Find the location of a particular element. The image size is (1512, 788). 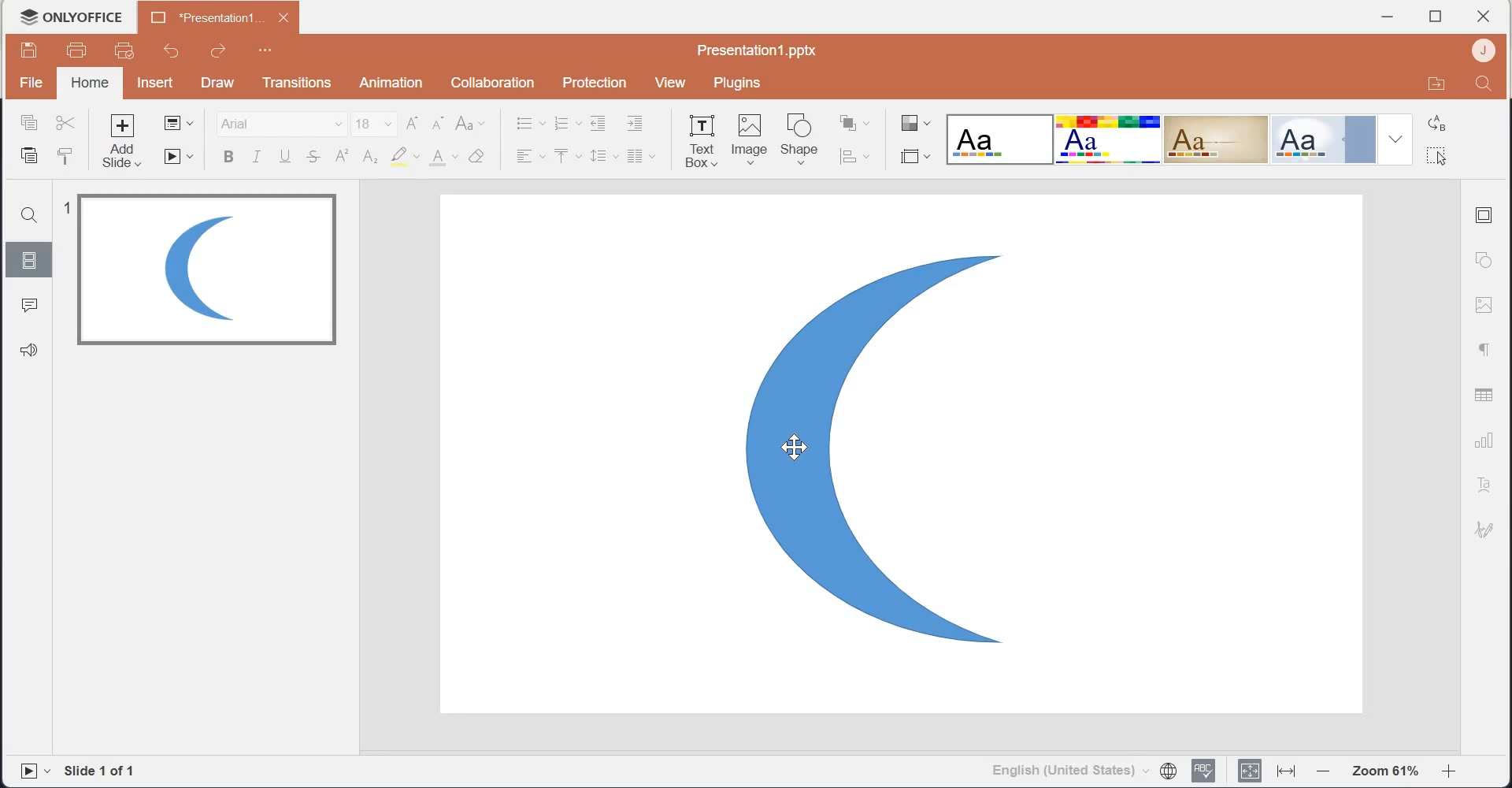

Insert column is located at coordinates (643, 157).